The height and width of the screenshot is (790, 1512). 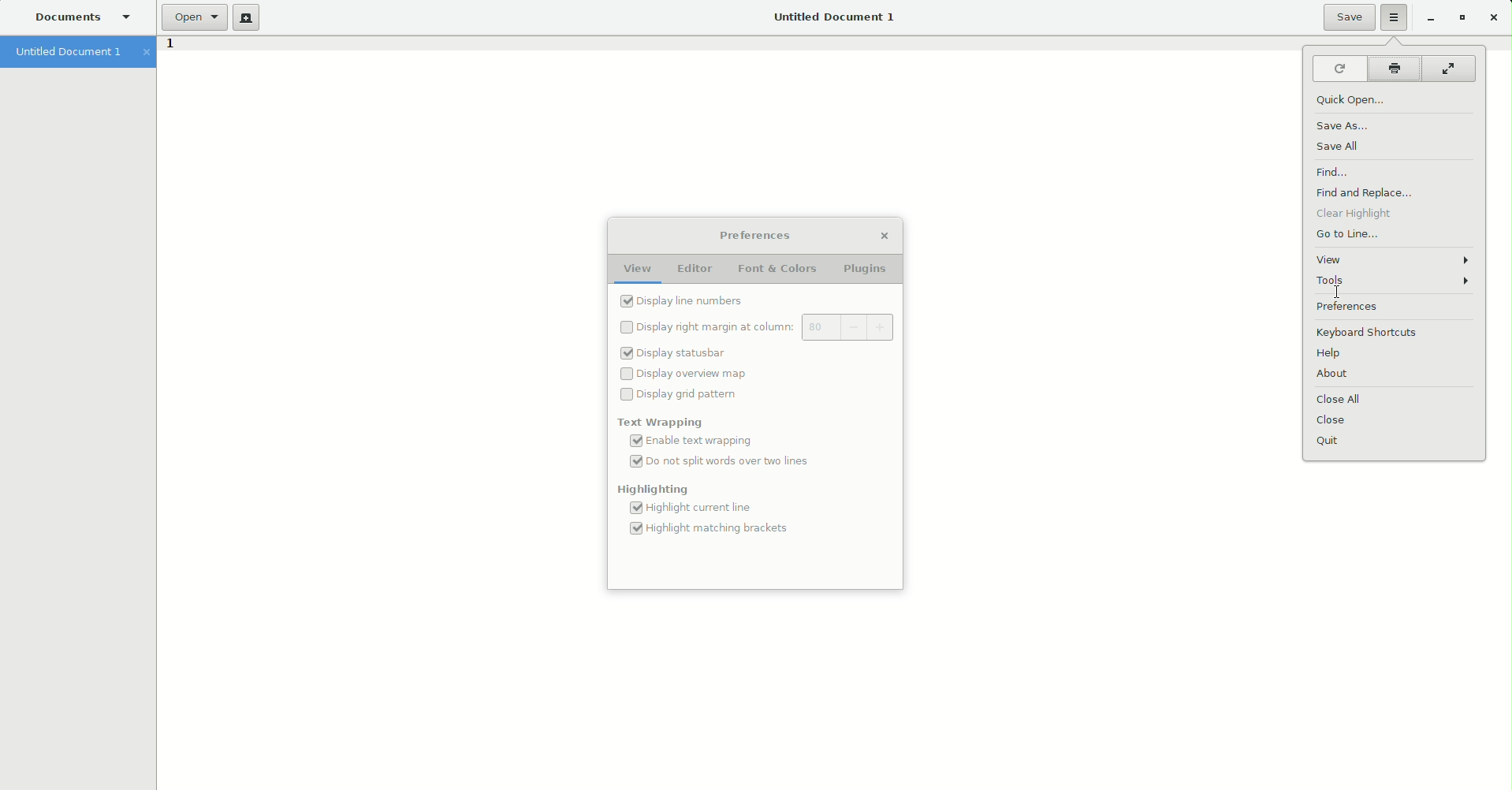 I want to click on Untitled document 1, so click(x=78, y=53).